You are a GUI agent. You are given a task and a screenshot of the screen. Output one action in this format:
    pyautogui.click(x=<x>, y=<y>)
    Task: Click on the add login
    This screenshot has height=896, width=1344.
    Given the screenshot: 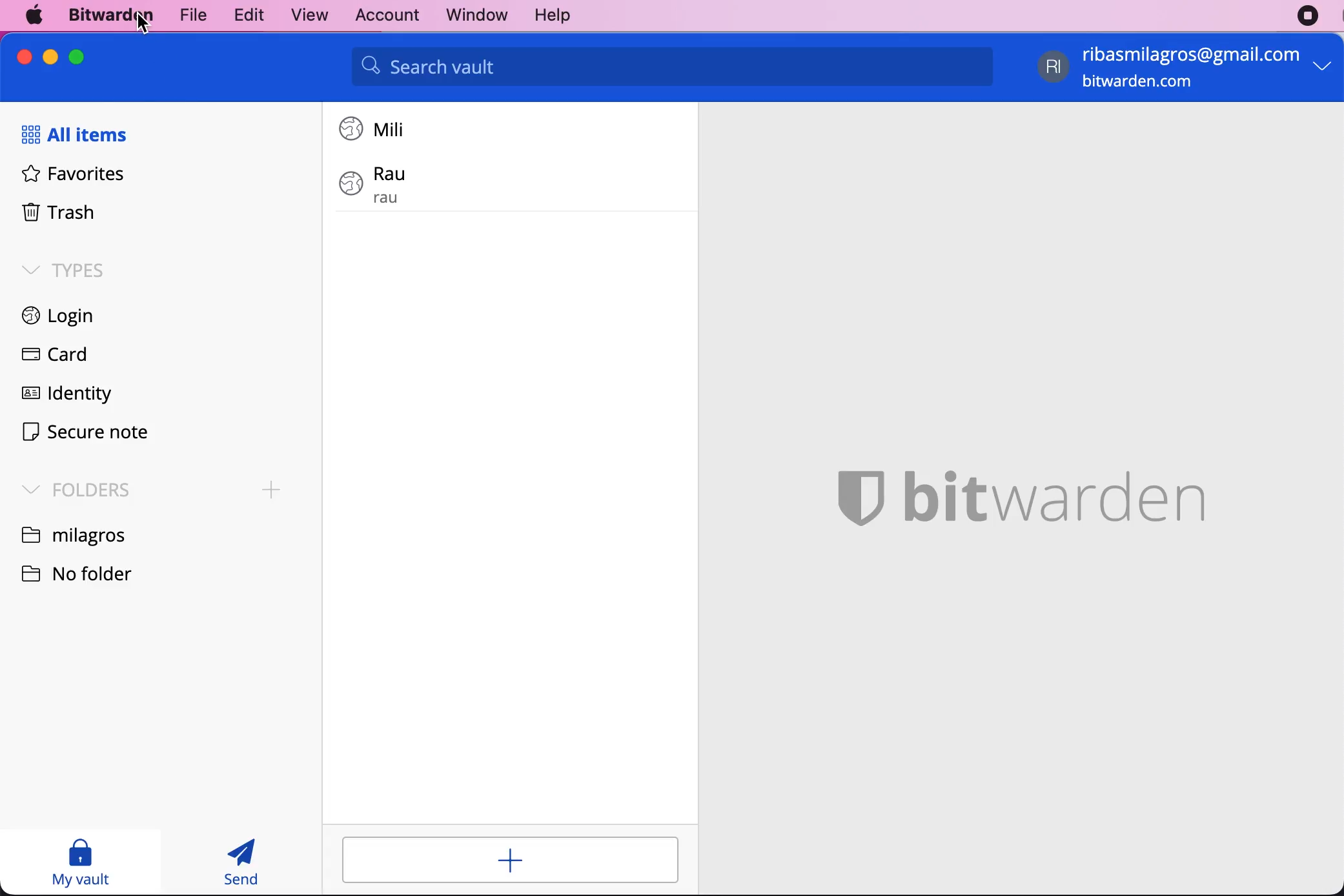 What is the action you would take?
    pyautogui.click(x=511, y=860)
    